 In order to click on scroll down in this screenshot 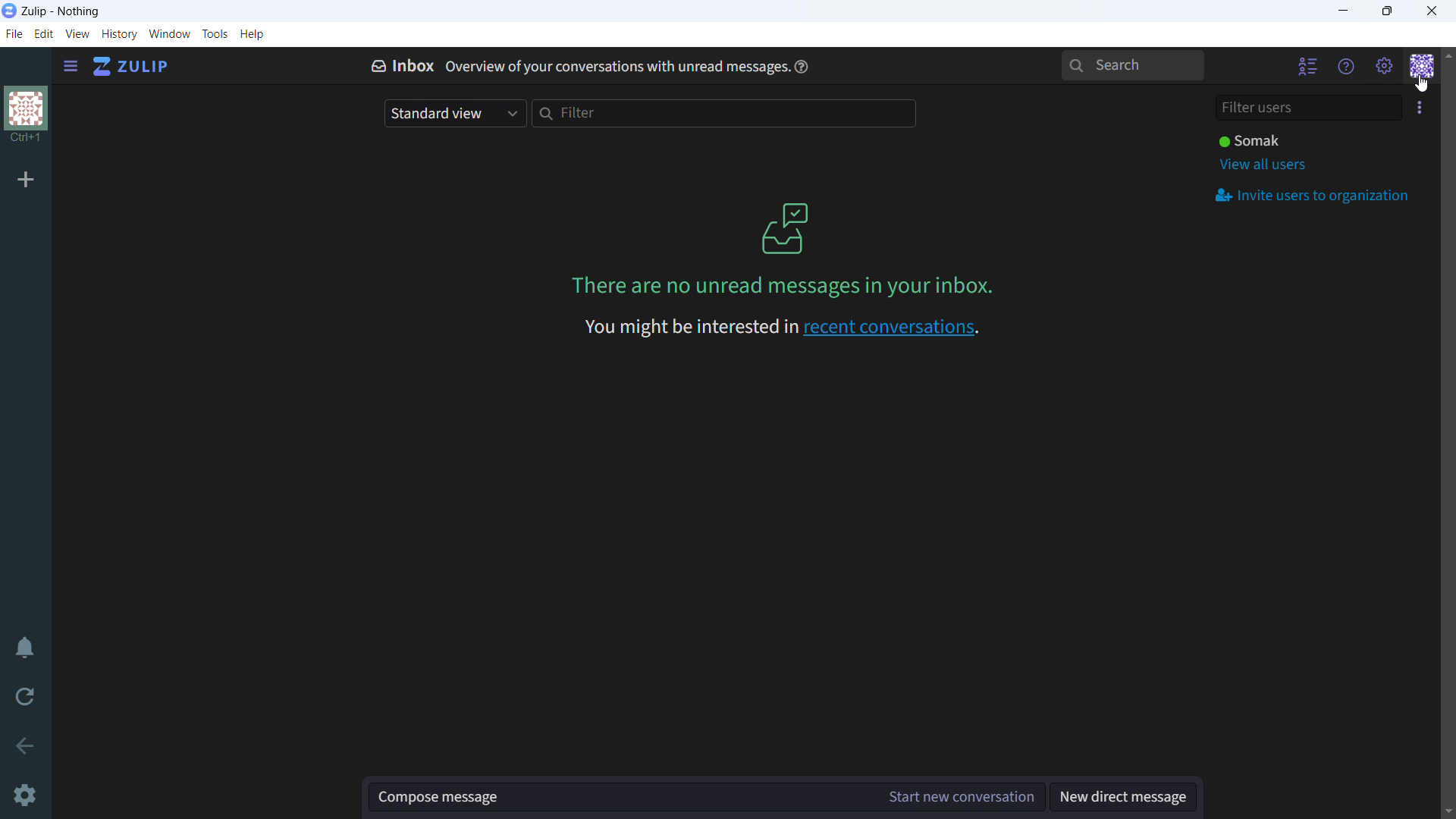, I will do `click(1447, 810)`.